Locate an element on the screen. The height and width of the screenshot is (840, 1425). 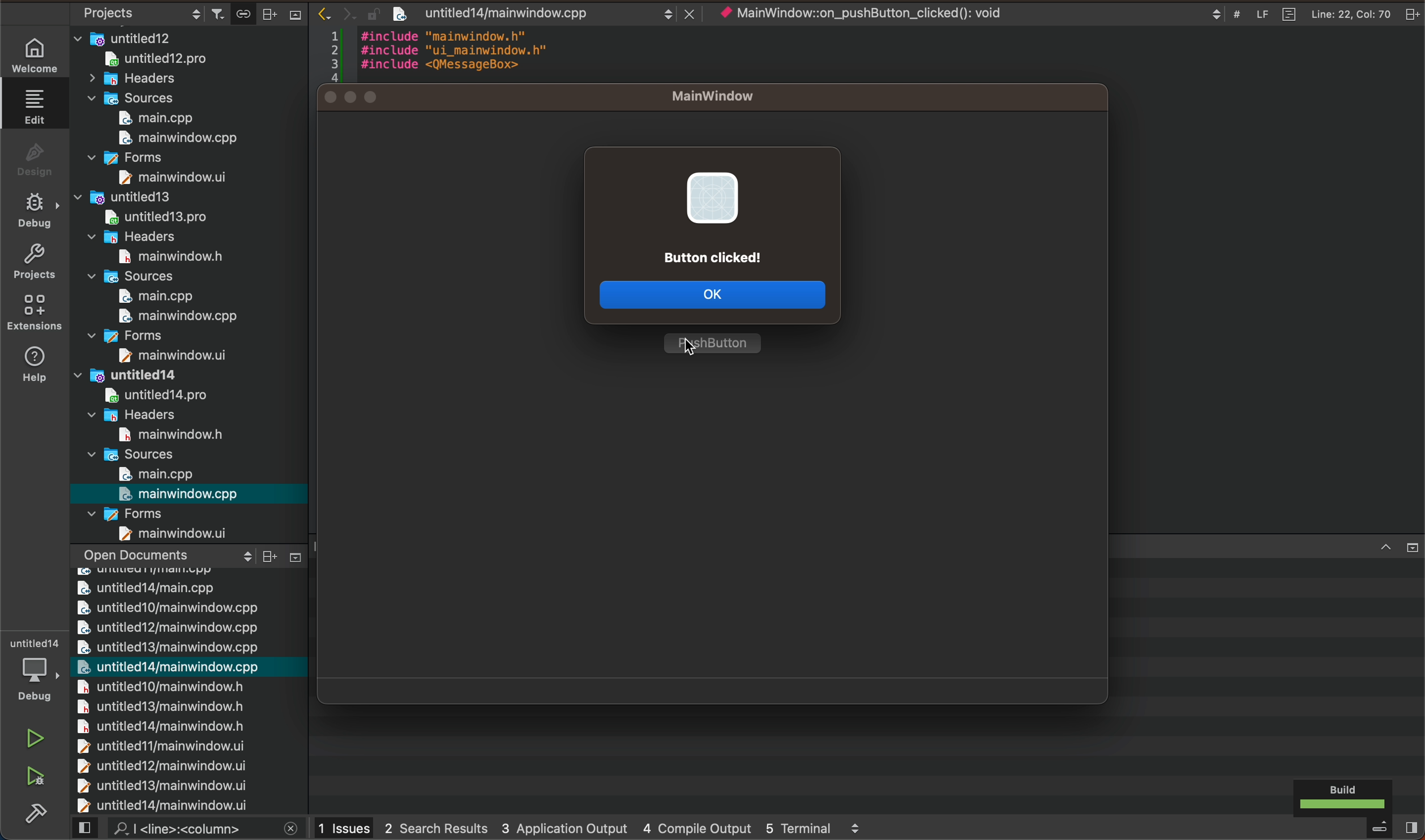
untitled14 pro is located at coordinates (144, 393).